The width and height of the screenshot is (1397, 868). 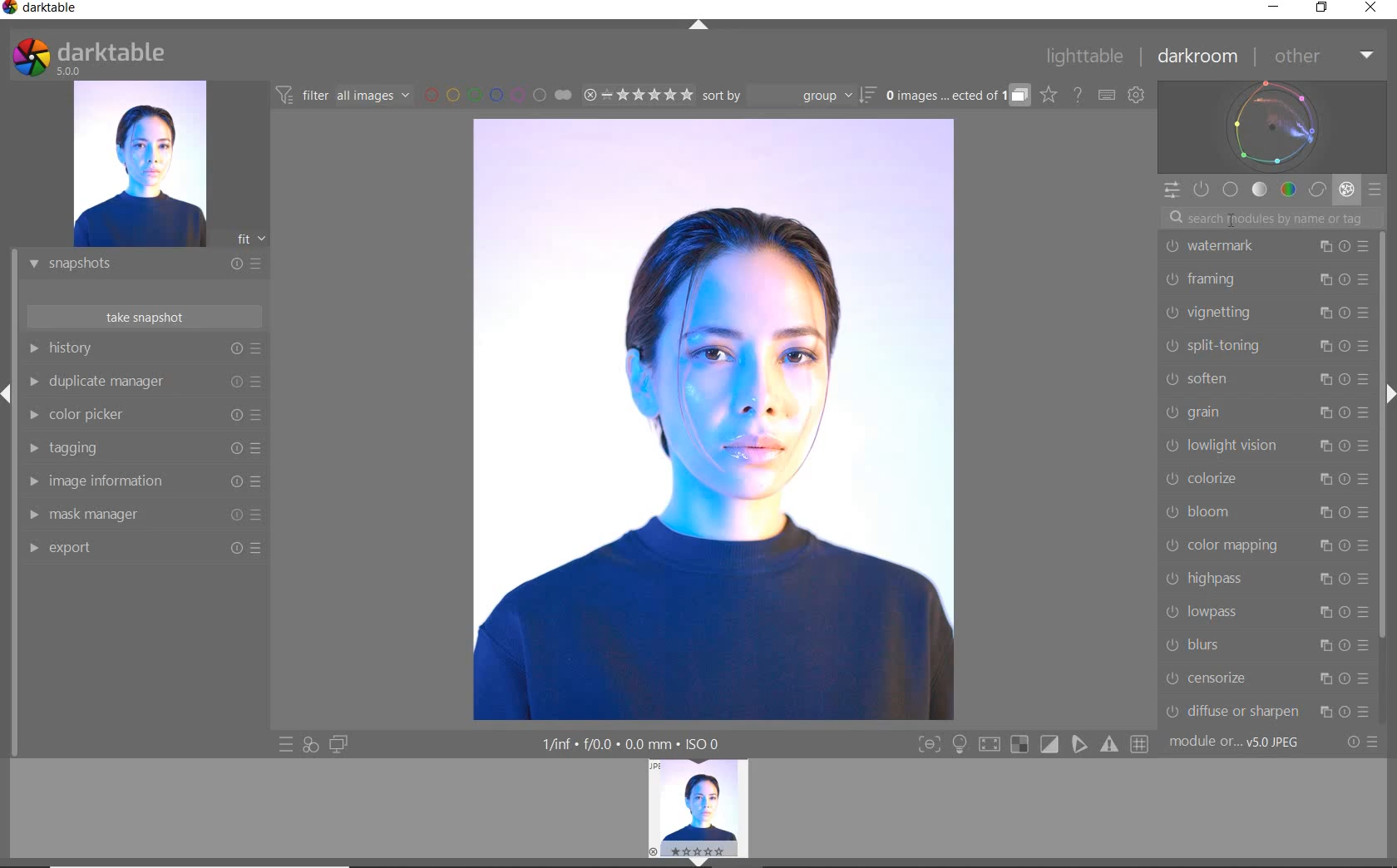 I want to click on WATERMARK, so click(x=1266, y=245).